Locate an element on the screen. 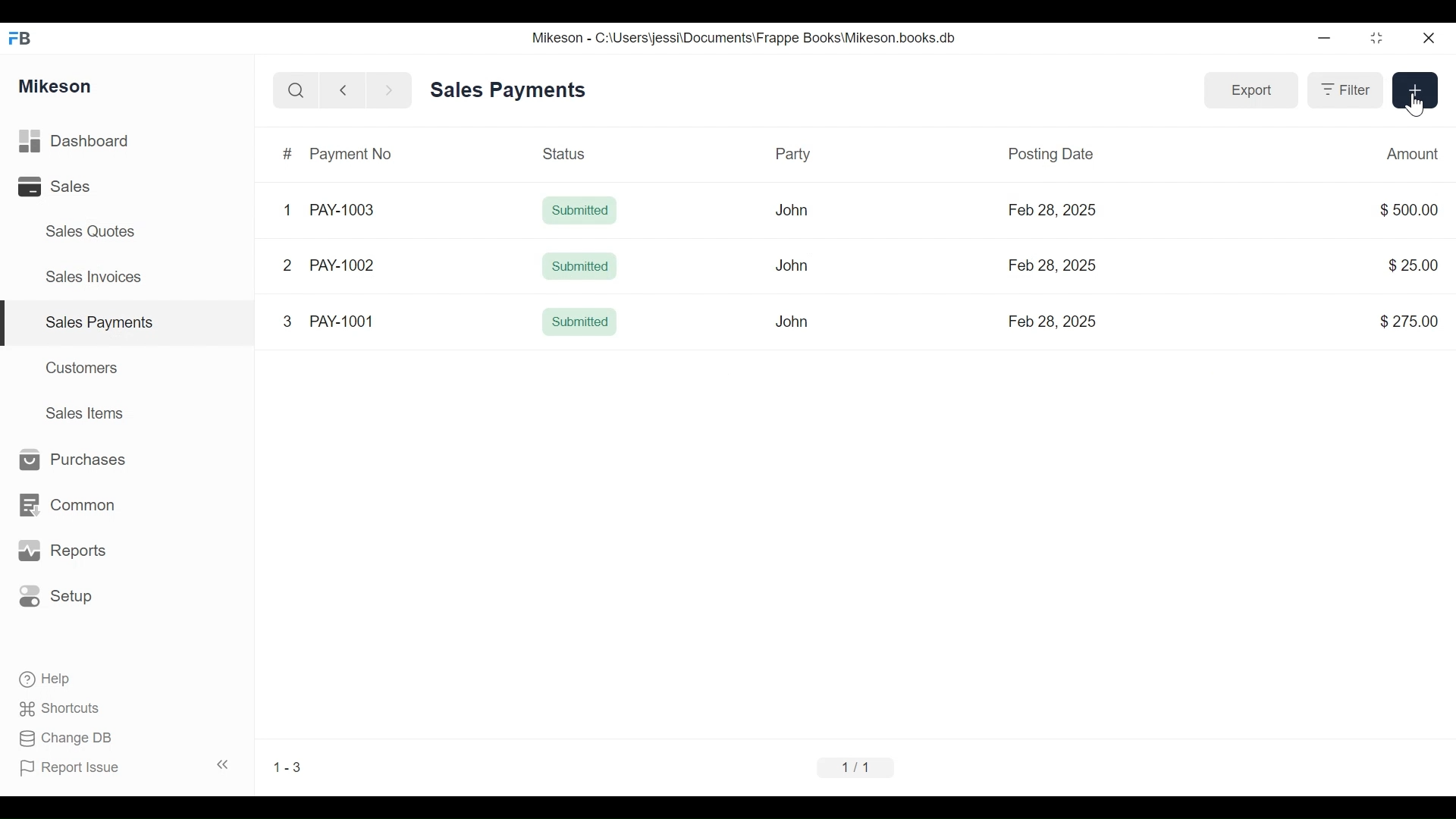 This screenshot has width=1456, height=819. FB is located at coordinates (24, 36).